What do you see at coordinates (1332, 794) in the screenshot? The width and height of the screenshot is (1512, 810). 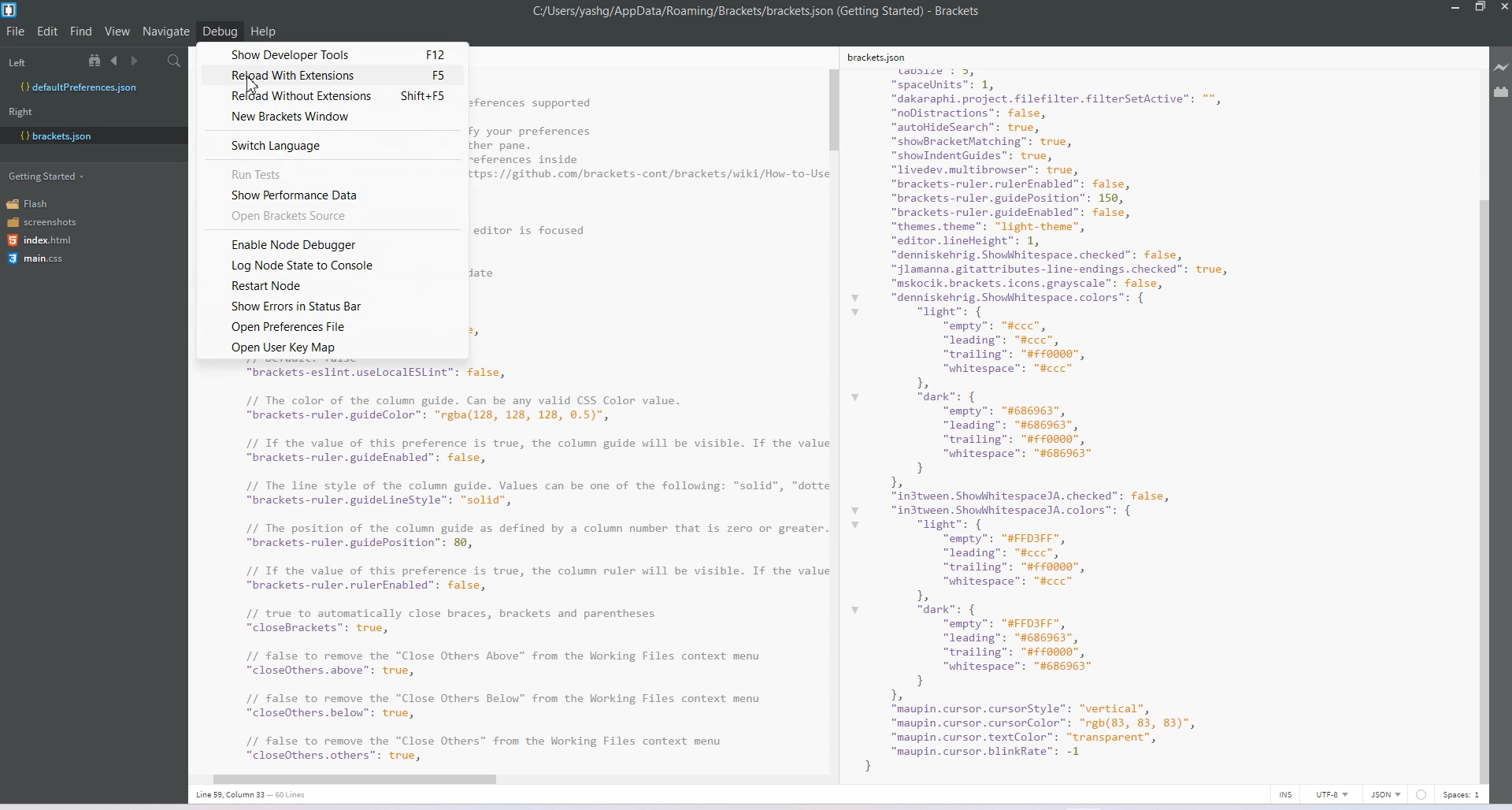 I see `UTF-8` at bounding box center [1332, 794].